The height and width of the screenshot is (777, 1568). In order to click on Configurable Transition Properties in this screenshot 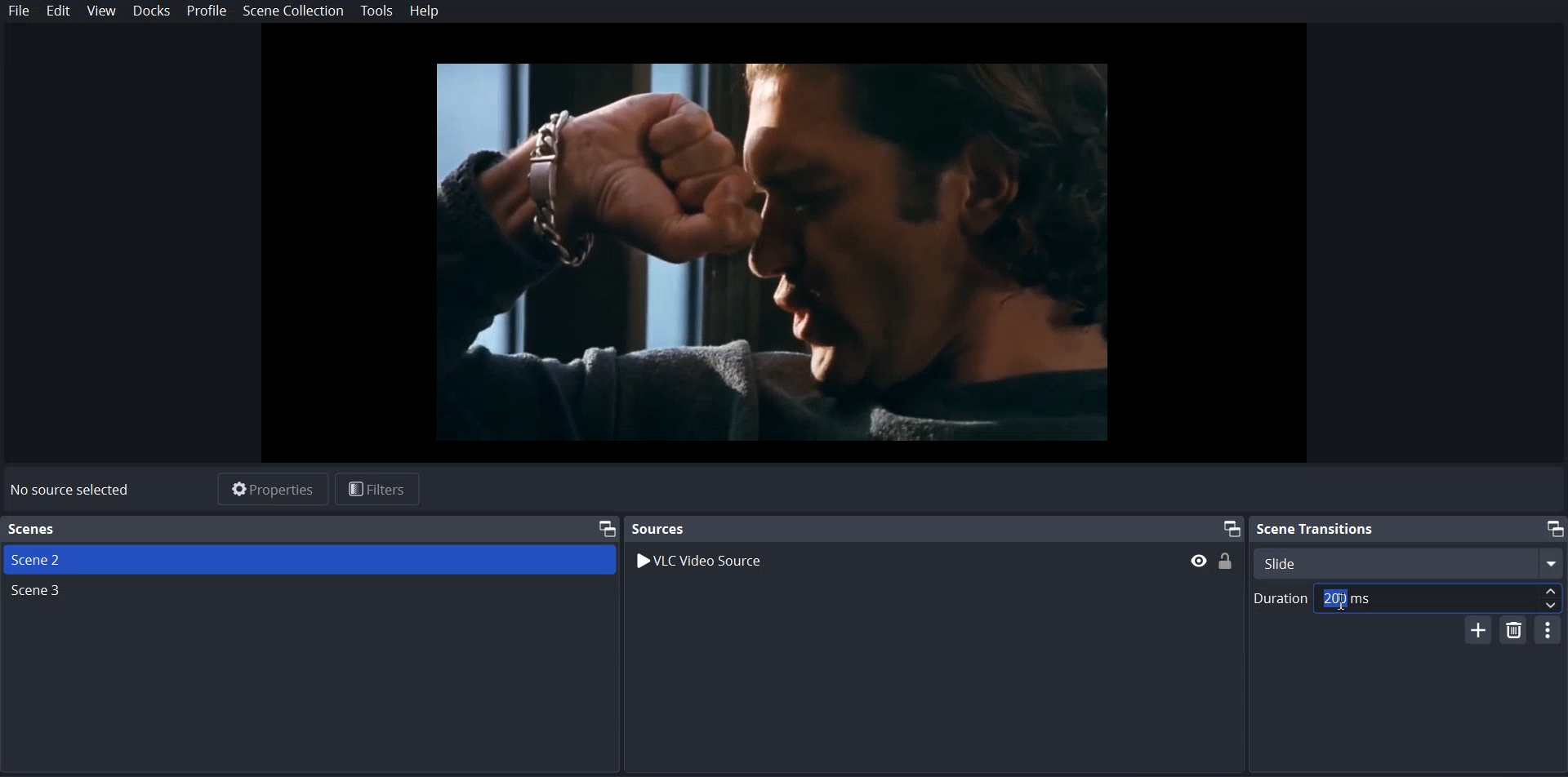, I will do `click(1548, 629)`.